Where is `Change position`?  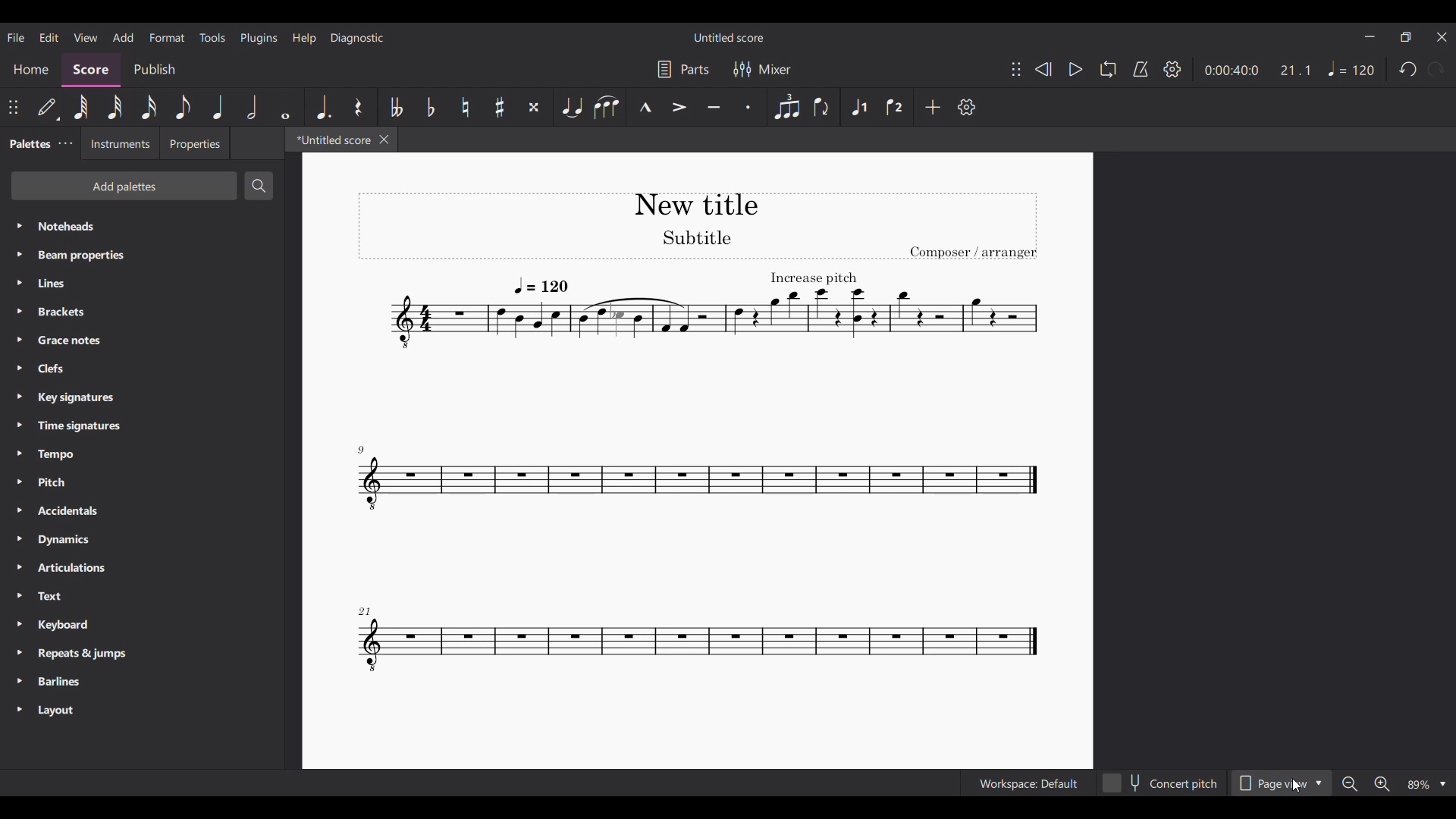
Change position is located at coordinates (13, 107).